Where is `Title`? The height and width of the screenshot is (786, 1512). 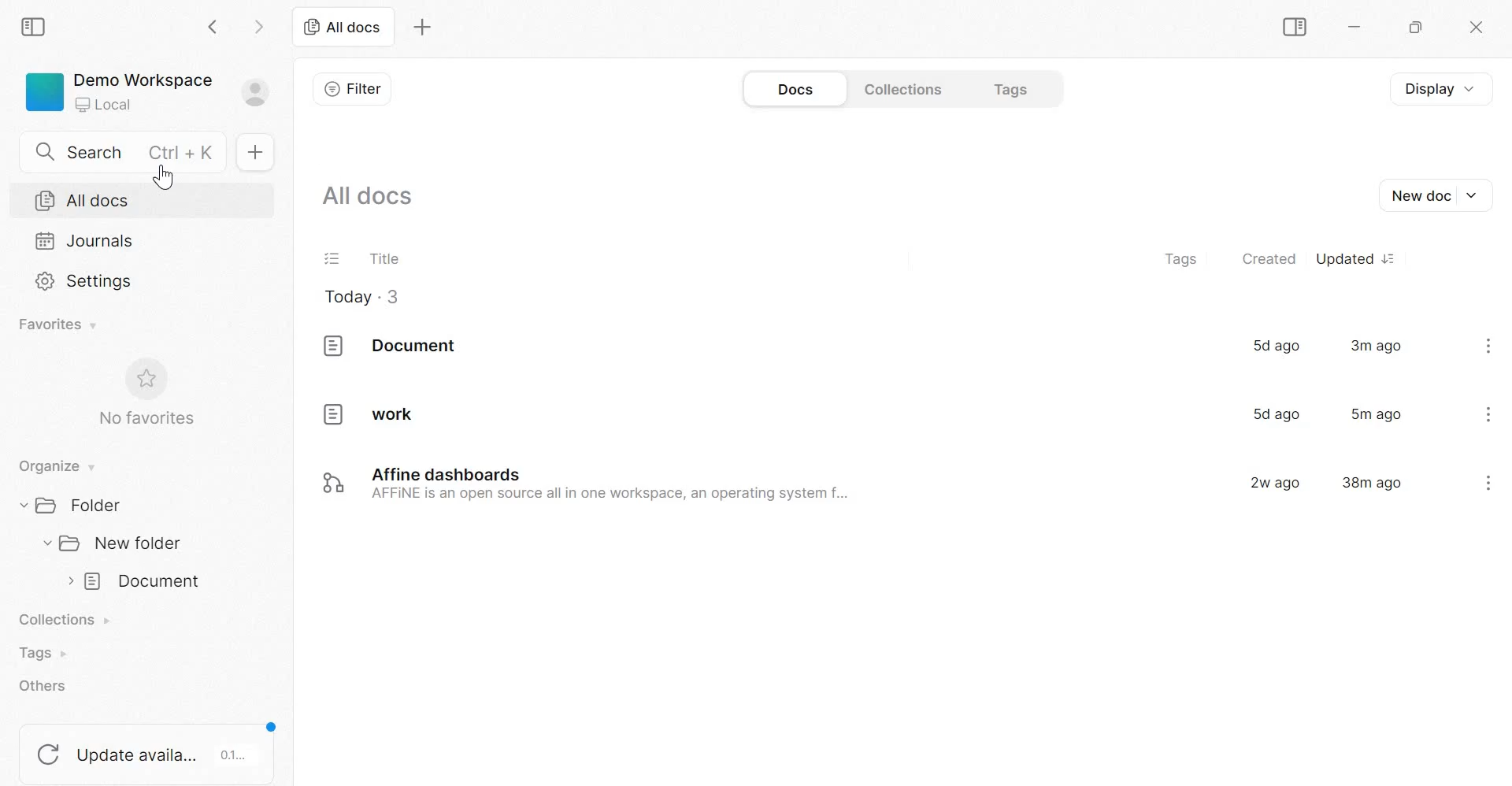 Title is located at coordinates (384, 257).